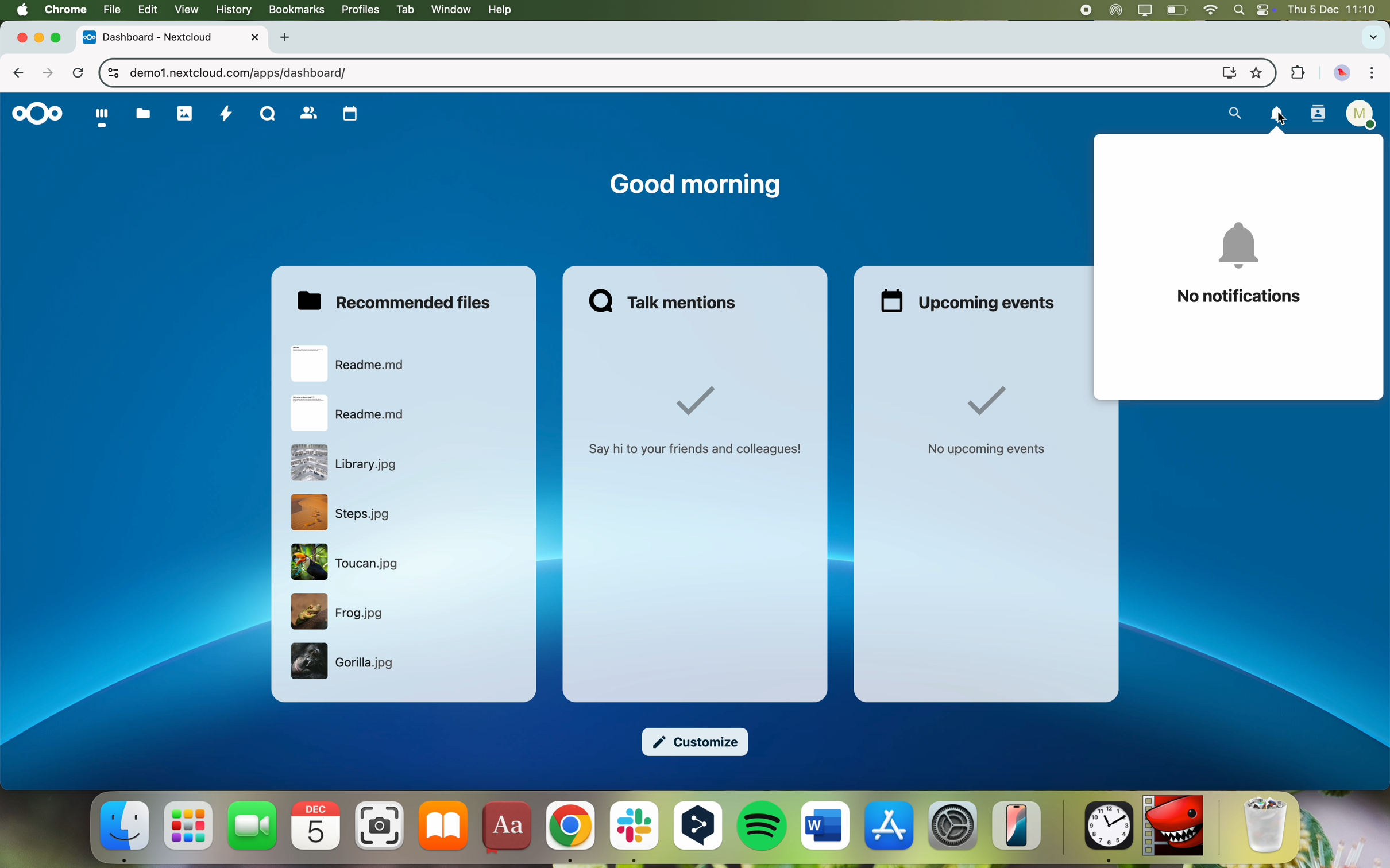  I want to click on profile picture, so click(1342, 74).